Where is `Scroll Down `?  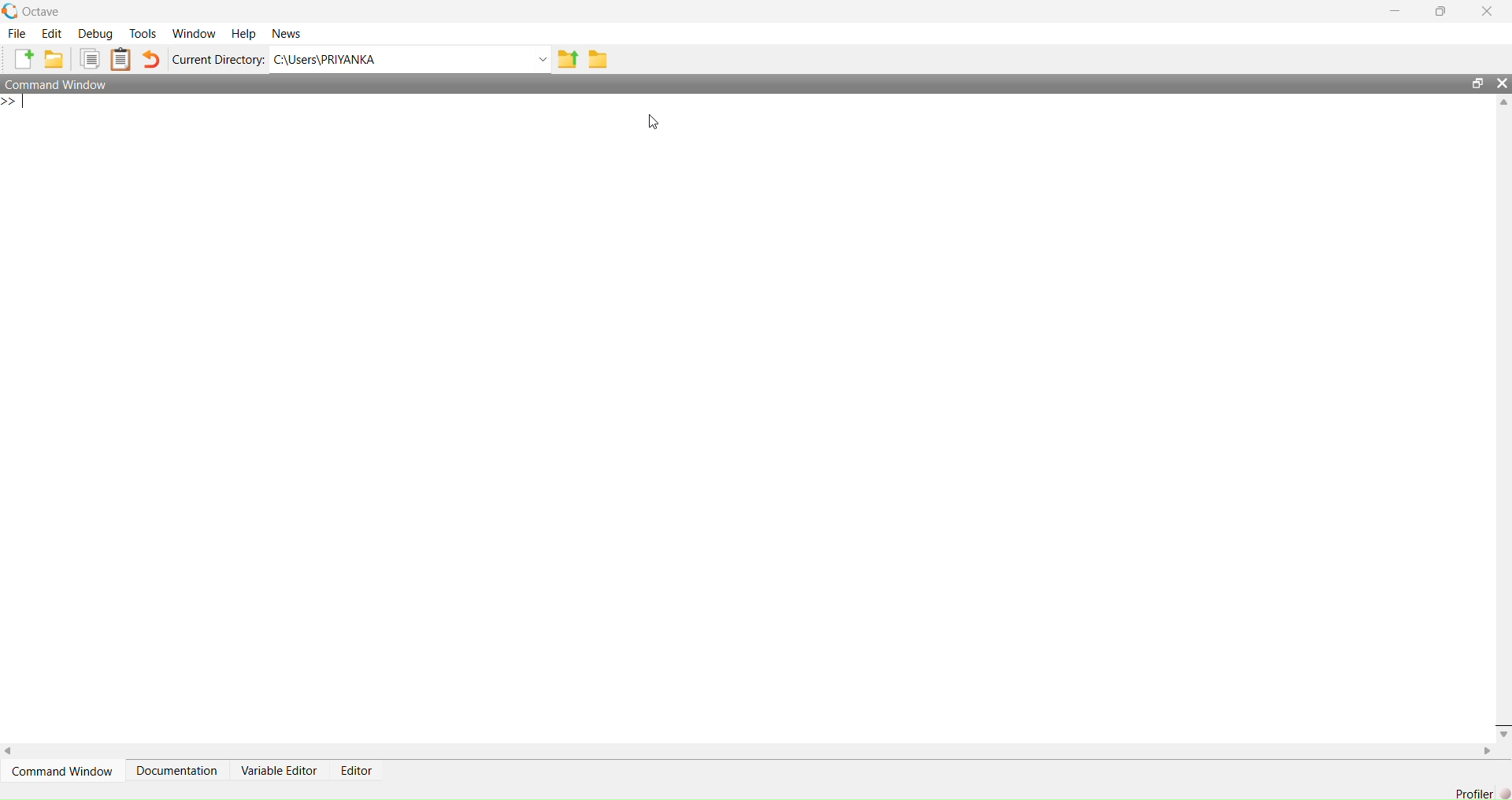 Scroll Down  is located at coordinates (1503, 733).